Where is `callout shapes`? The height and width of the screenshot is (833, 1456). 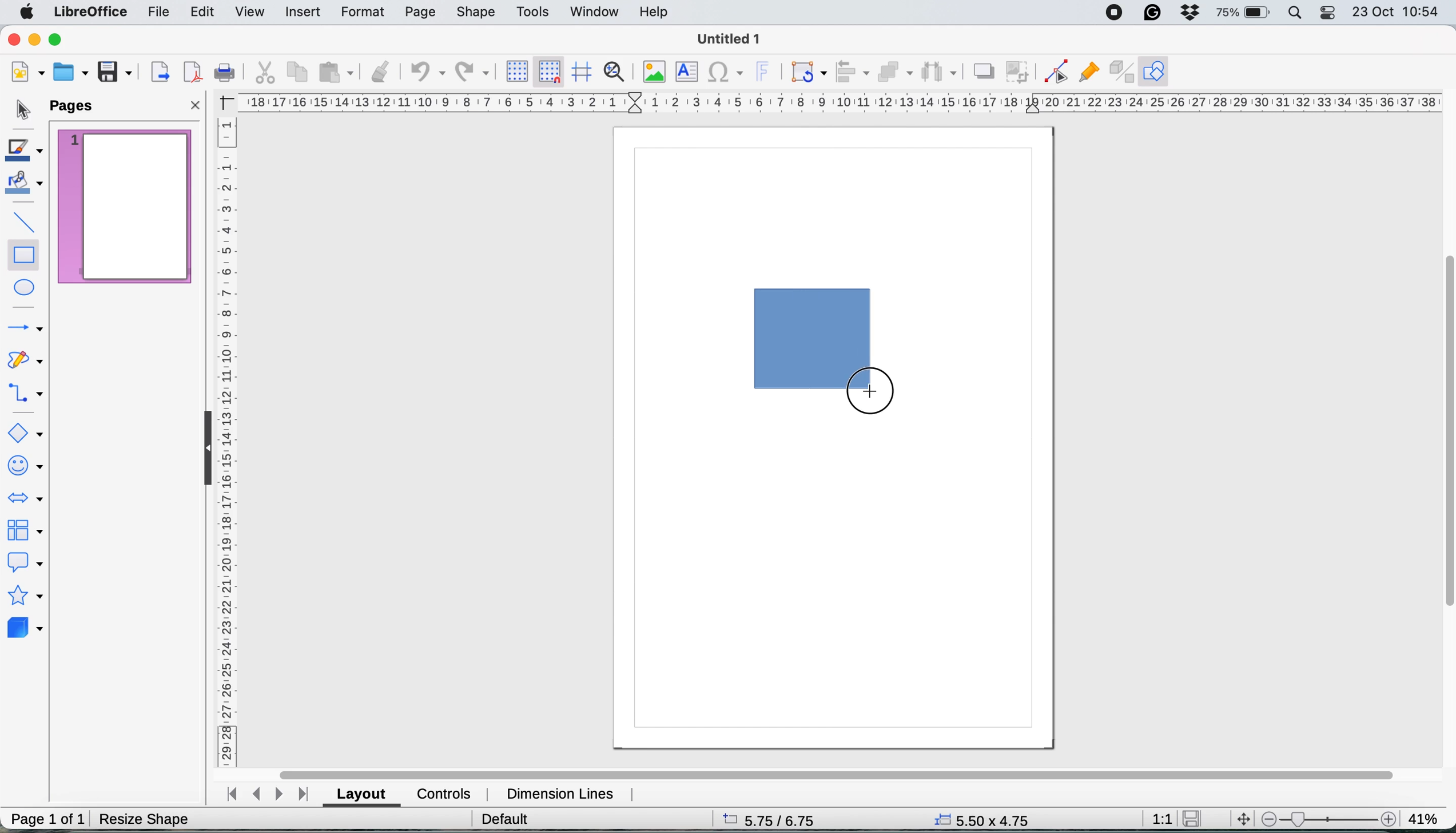
callout shapes is located at coordinates (26, 563).